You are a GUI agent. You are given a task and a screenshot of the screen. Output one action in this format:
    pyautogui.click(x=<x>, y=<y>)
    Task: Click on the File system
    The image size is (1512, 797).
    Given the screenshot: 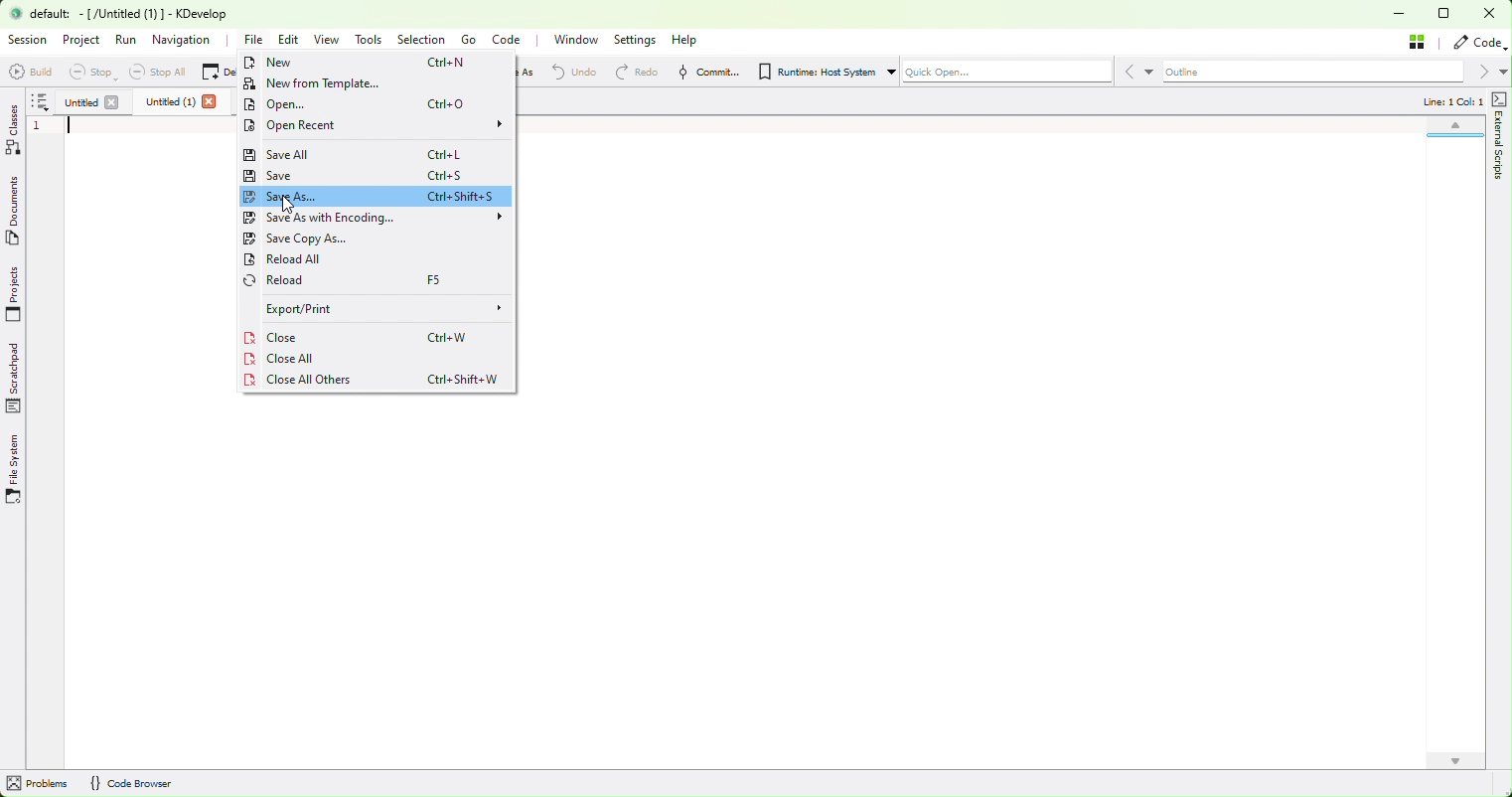 What is the action you would take?
    pyautogui.click(x=17, y=467)
    